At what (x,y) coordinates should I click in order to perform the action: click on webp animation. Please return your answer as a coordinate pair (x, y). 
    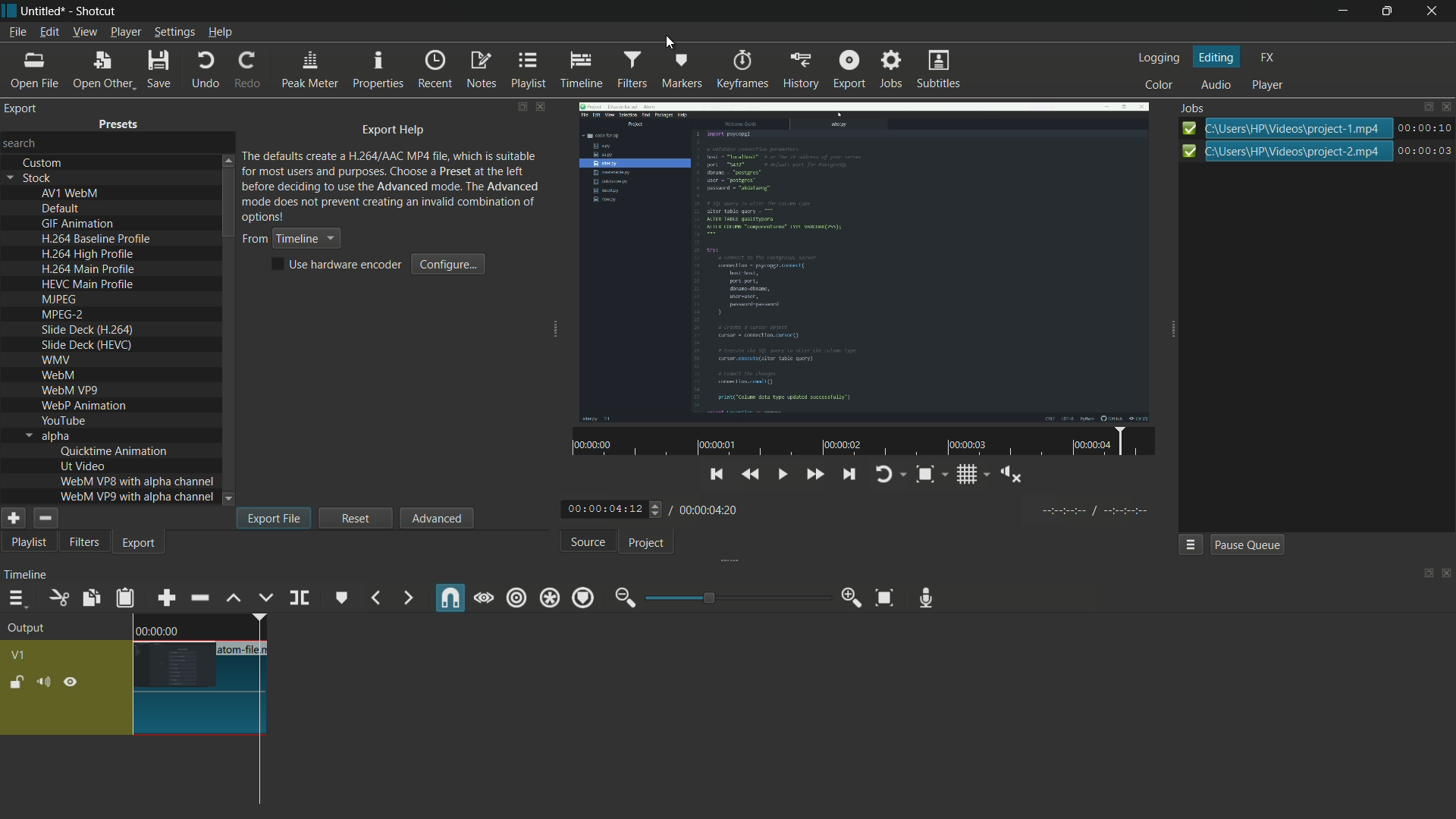
    Looking at the image, I should click on (83, 406).